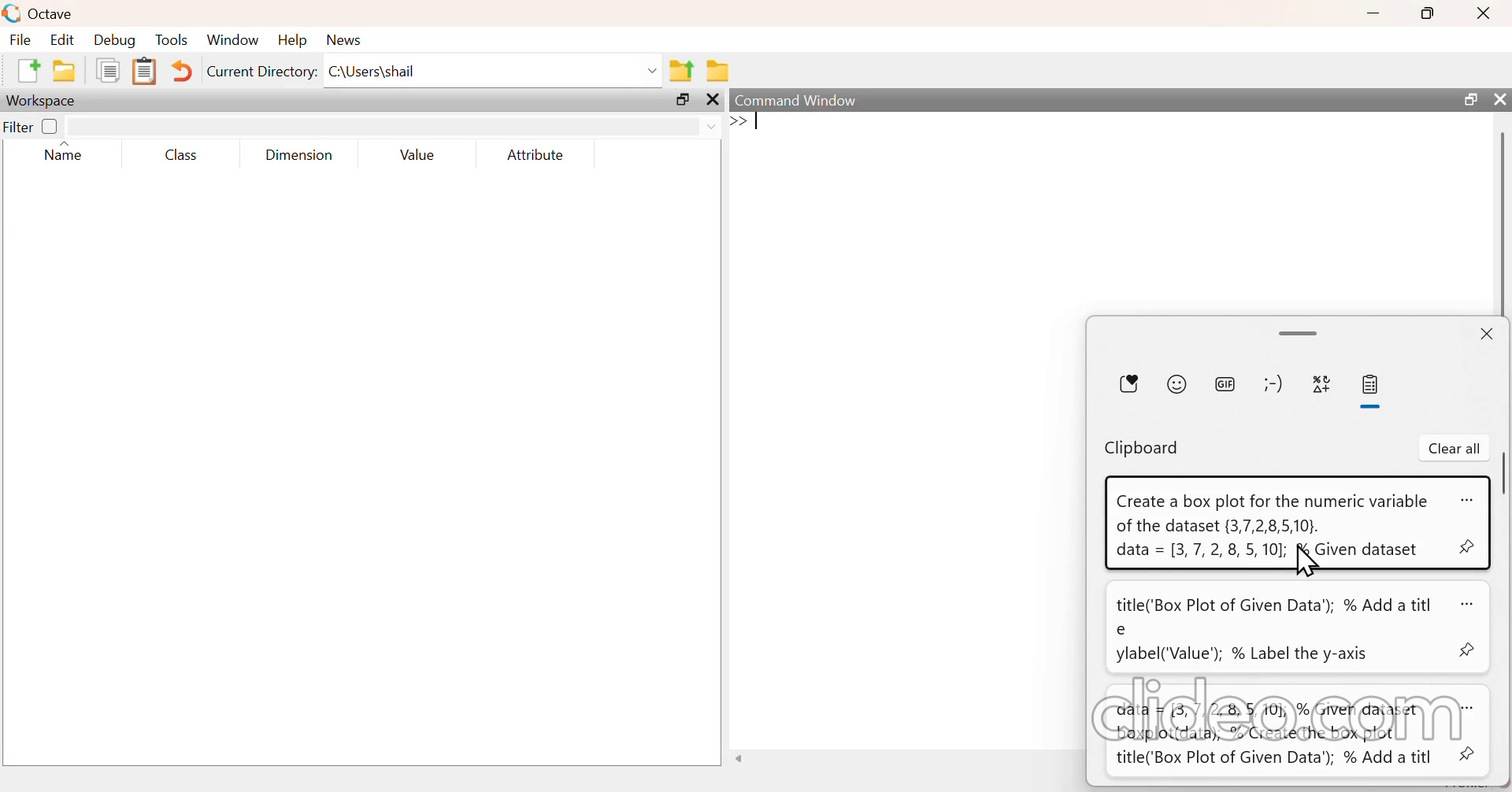 This screenshot has width=1512, height=792. Describe the element at coordinates (1370, 389) in the screenshot. I see `clipboard history` at that location.